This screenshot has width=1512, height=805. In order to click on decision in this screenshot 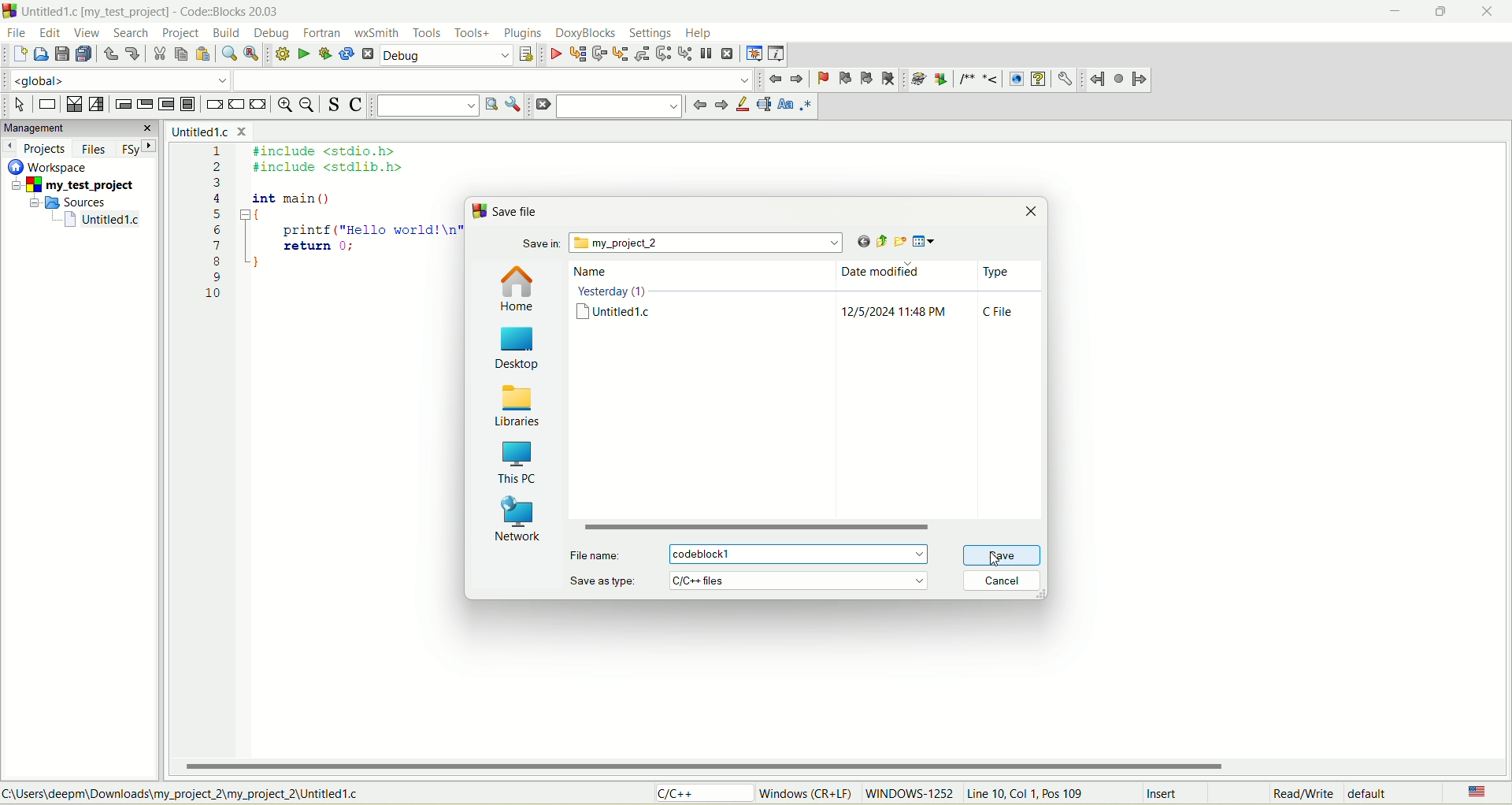, I will do `click(73, 105)`.